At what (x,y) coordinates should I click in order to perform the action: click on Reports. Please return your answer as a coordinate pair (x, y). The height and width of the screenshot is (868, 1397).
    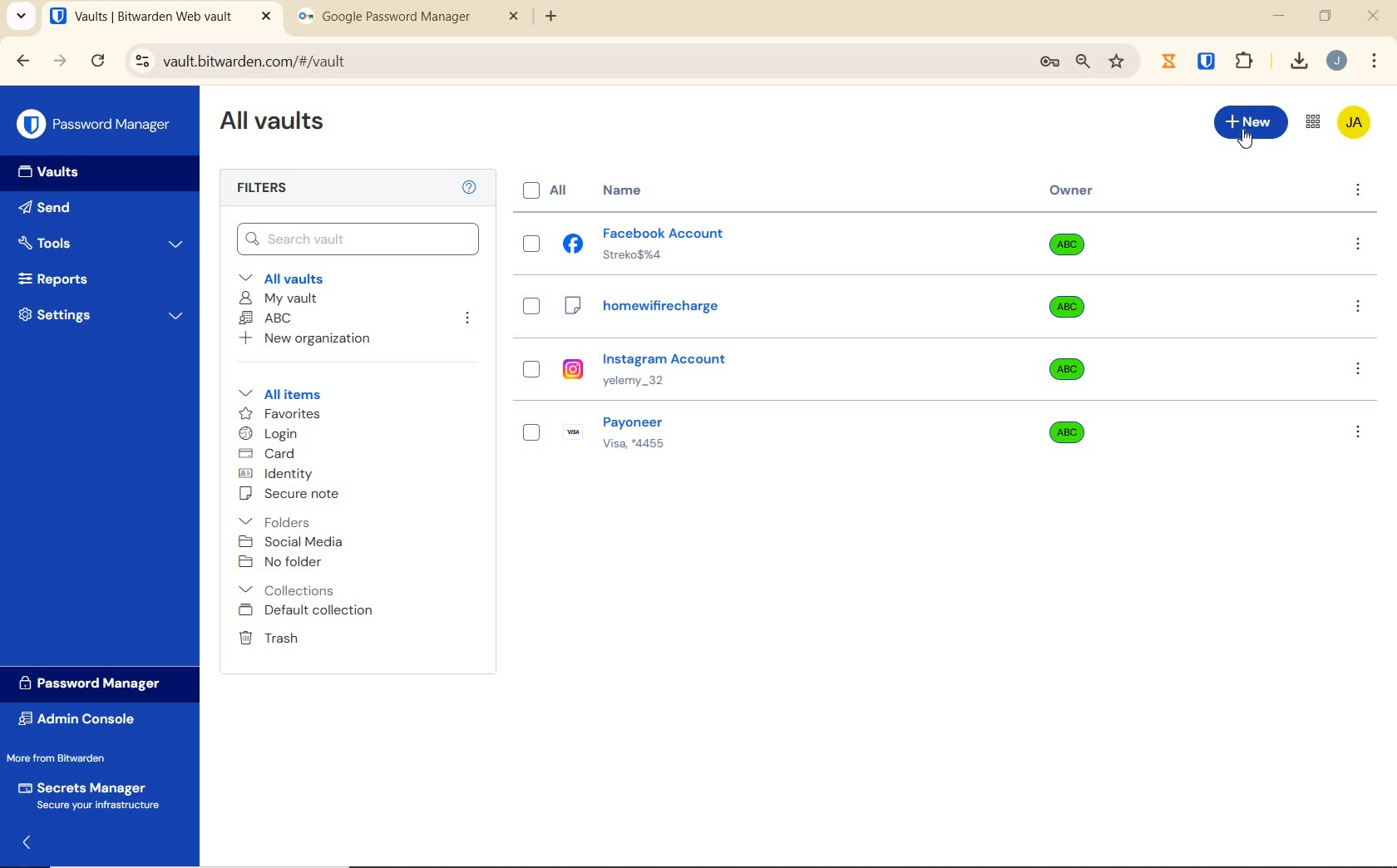
    Looking at the image, I should click on (72, 275).